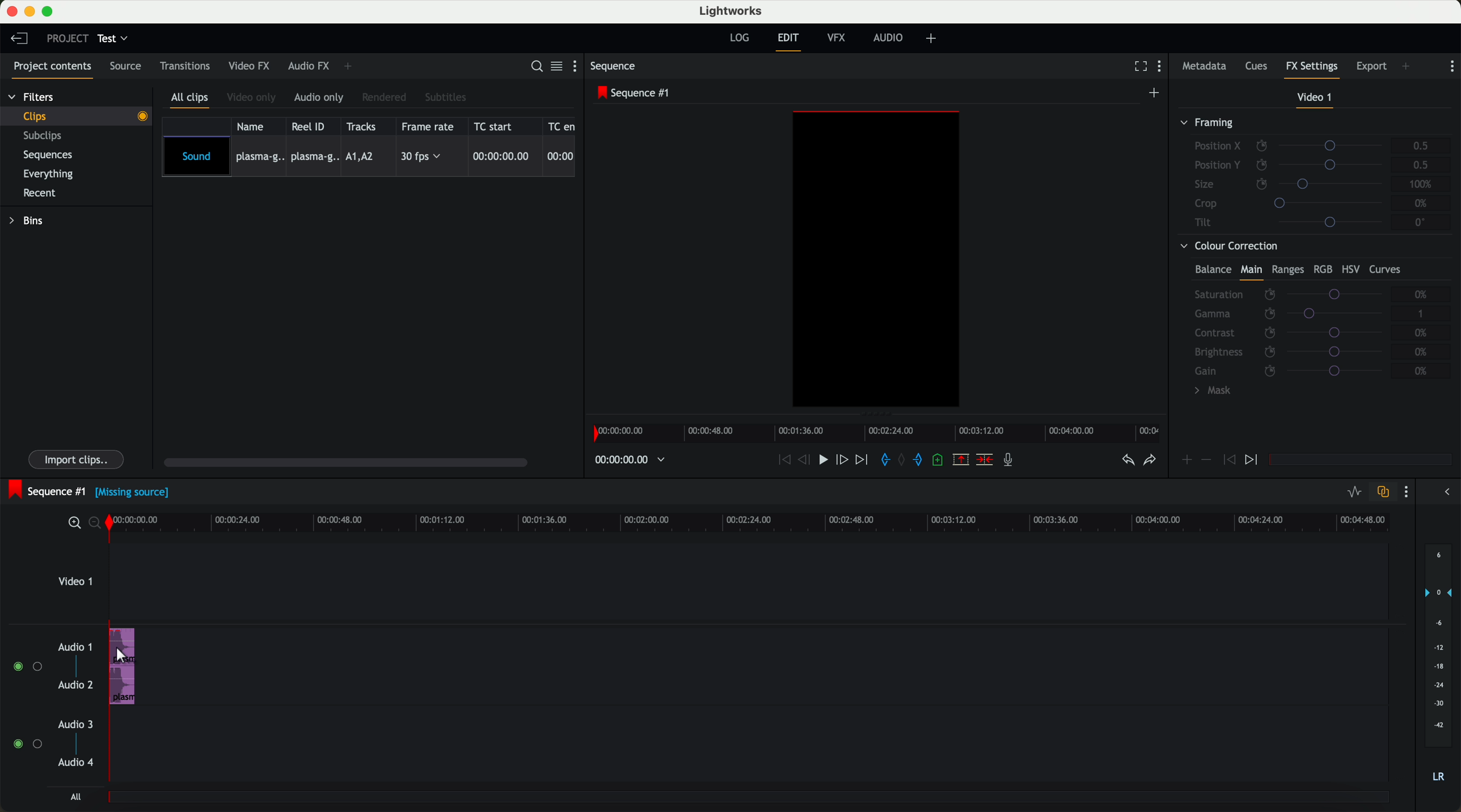 This screenshot has height=812, width=1461. What do you see at coordinates (447, 97) in the screenshot?
I see `subtitles` at bounding box center [447, 97].